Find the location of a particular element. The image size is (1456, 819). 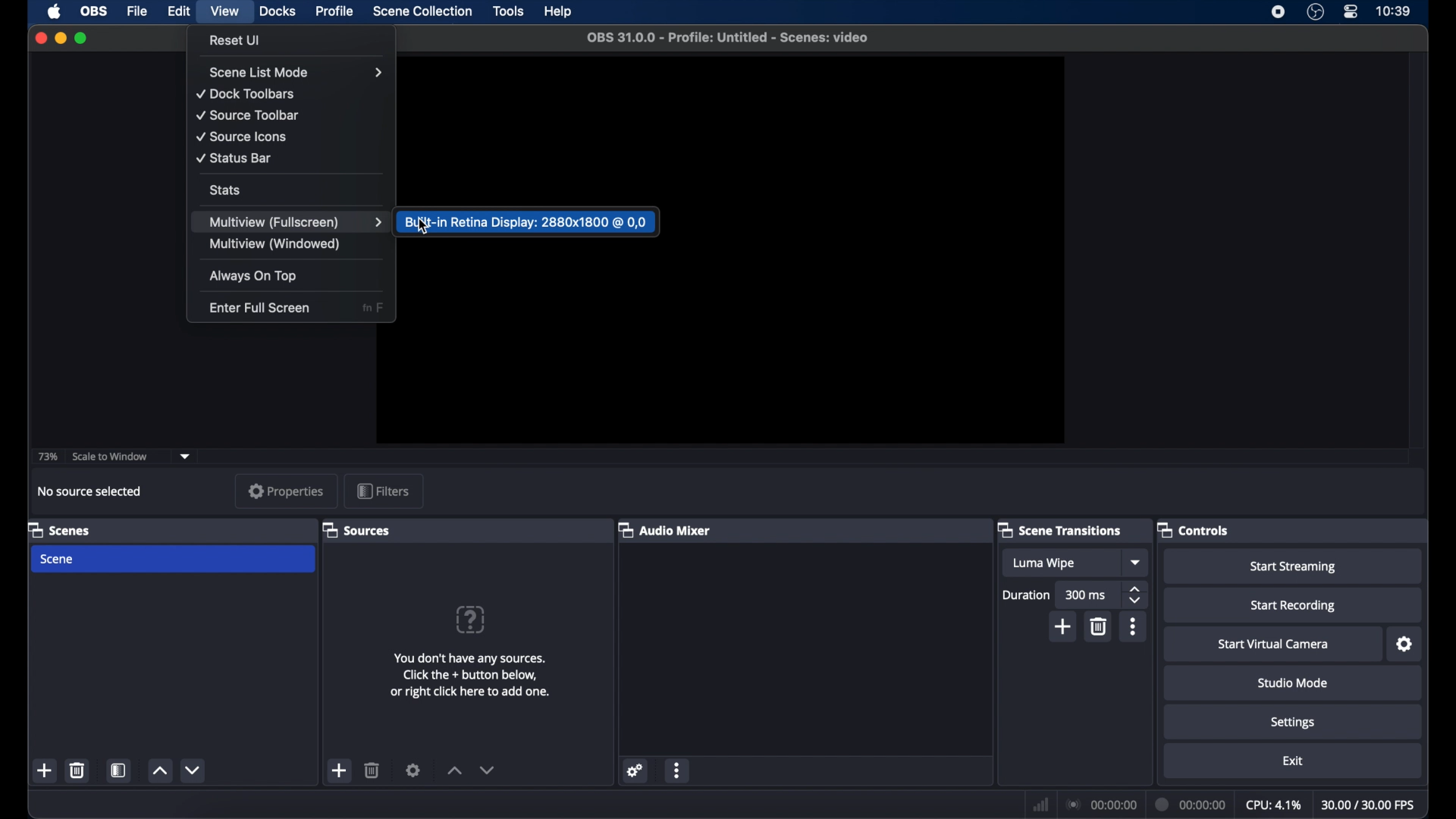

delete is located at coordinates (372, 770).